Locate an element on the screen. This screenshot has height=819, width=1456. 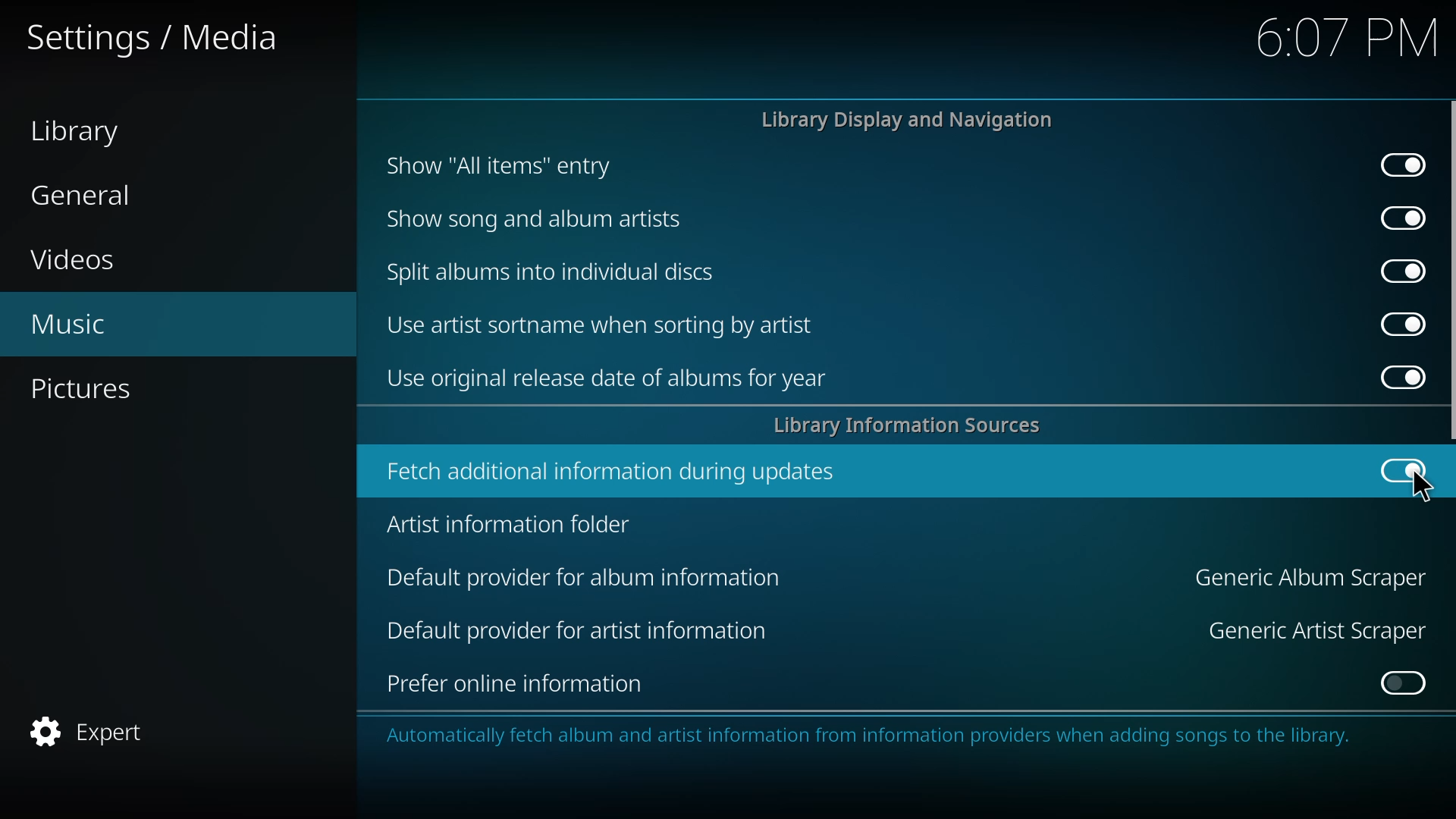
cursor is located at coordinates (1423, 490).